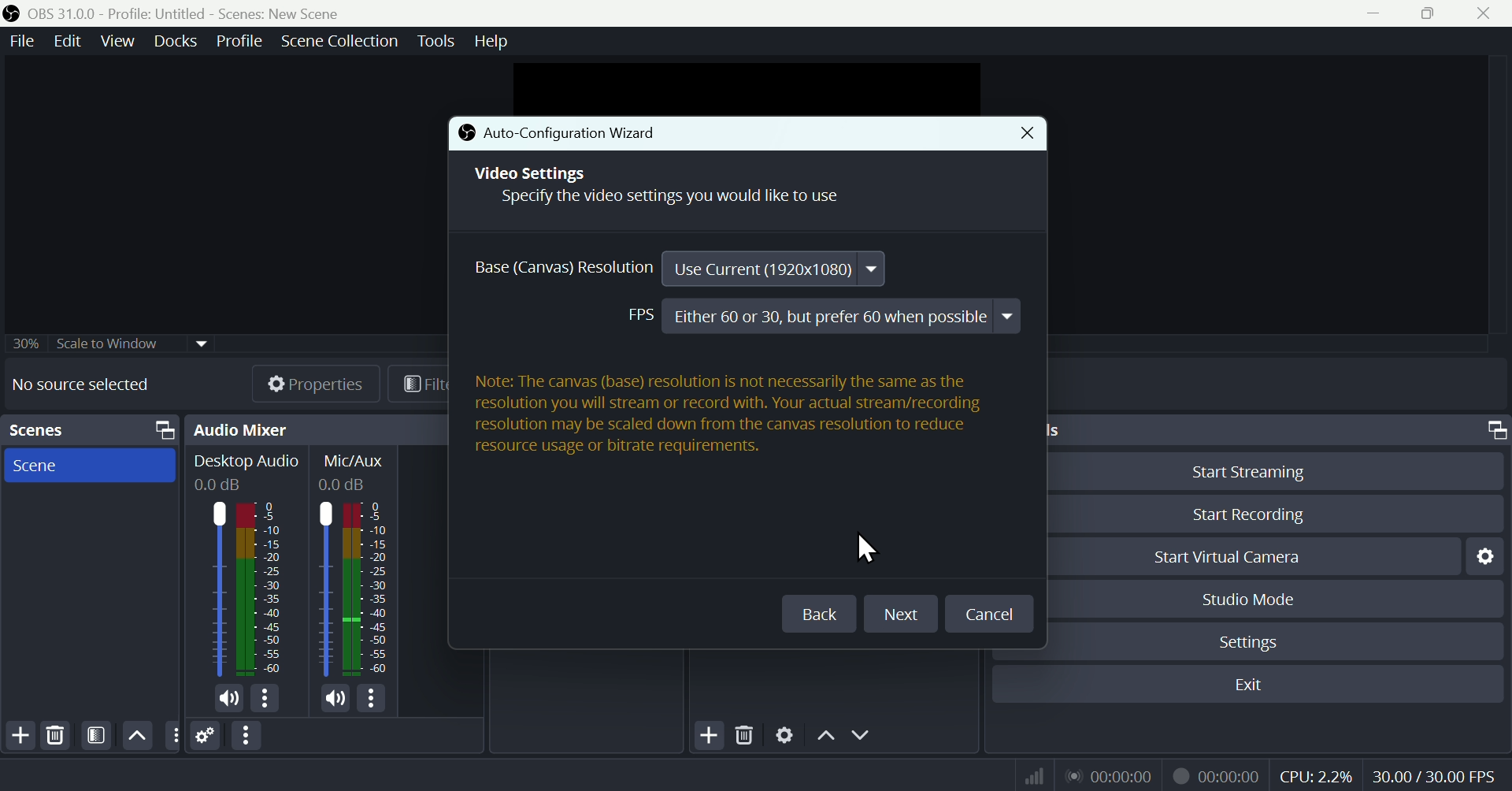 This screenshot has height=791, width=1512. Describe the element at coordinates (439, 41) in the screenshot. I see `Tools` at that location.